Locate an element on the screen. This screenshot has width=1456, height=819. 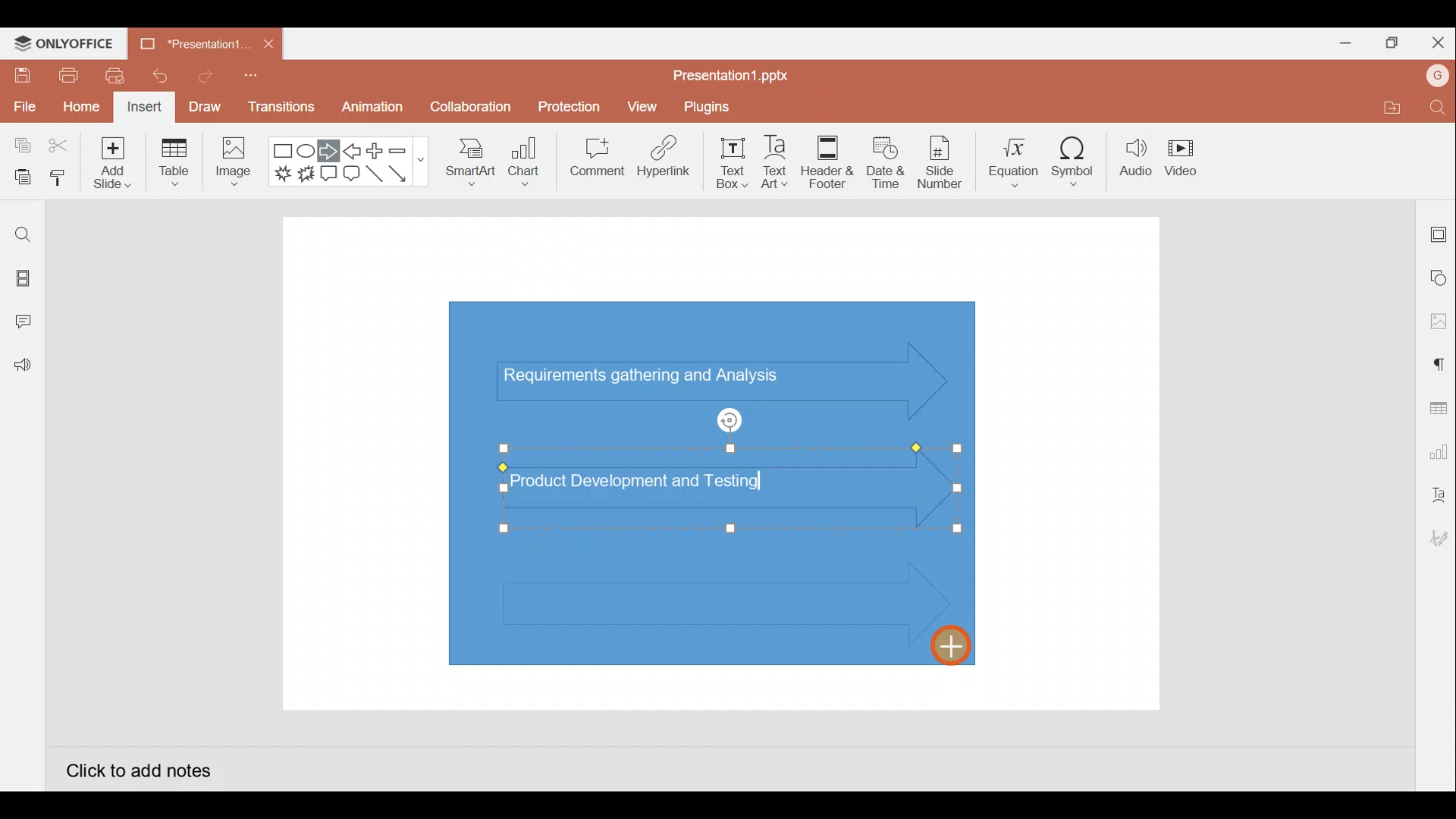
Close is located at coordinates (1435, 39).